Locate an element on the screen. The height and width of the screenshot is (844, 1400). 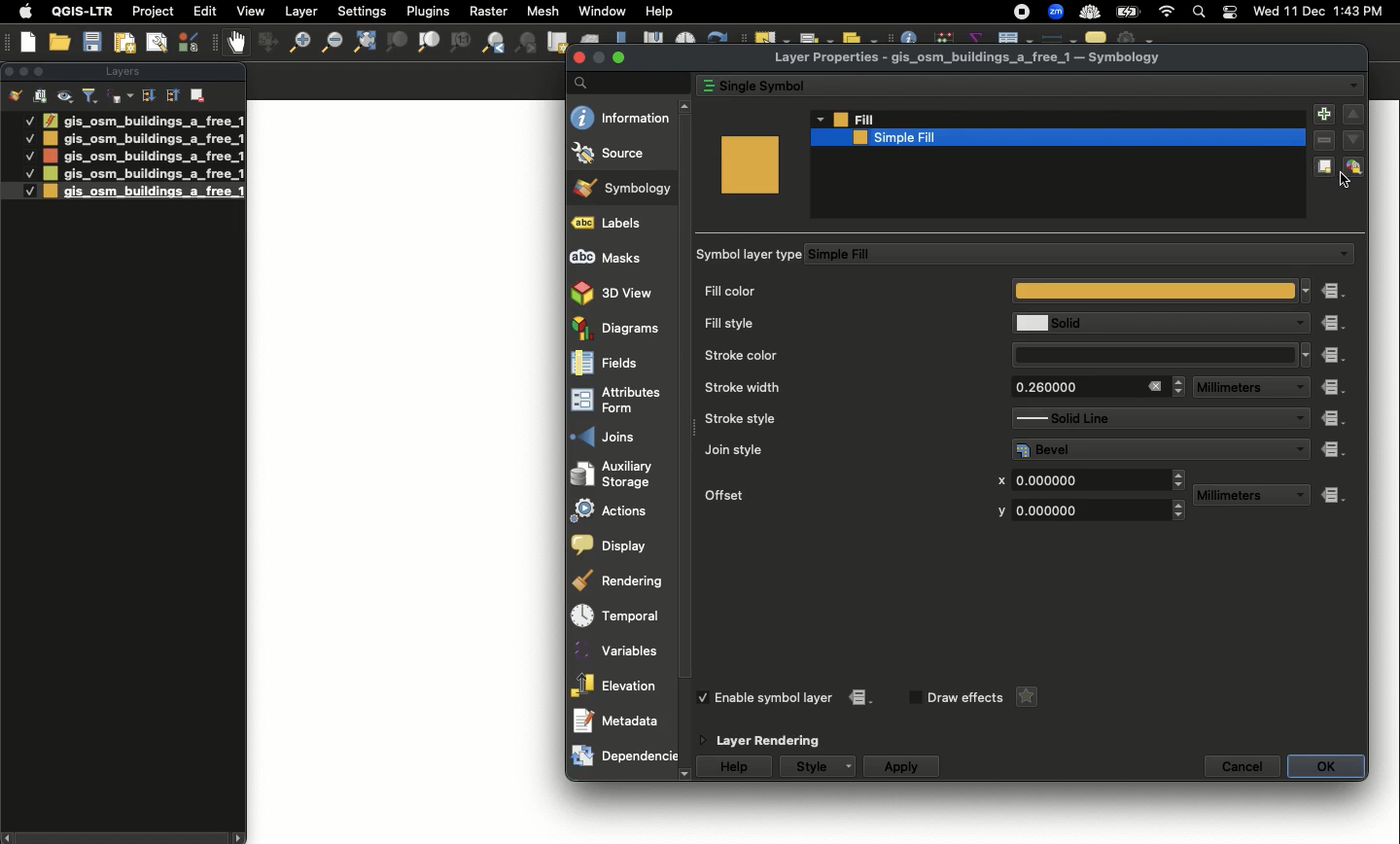
Elevation is located at coordinates (617, 685).